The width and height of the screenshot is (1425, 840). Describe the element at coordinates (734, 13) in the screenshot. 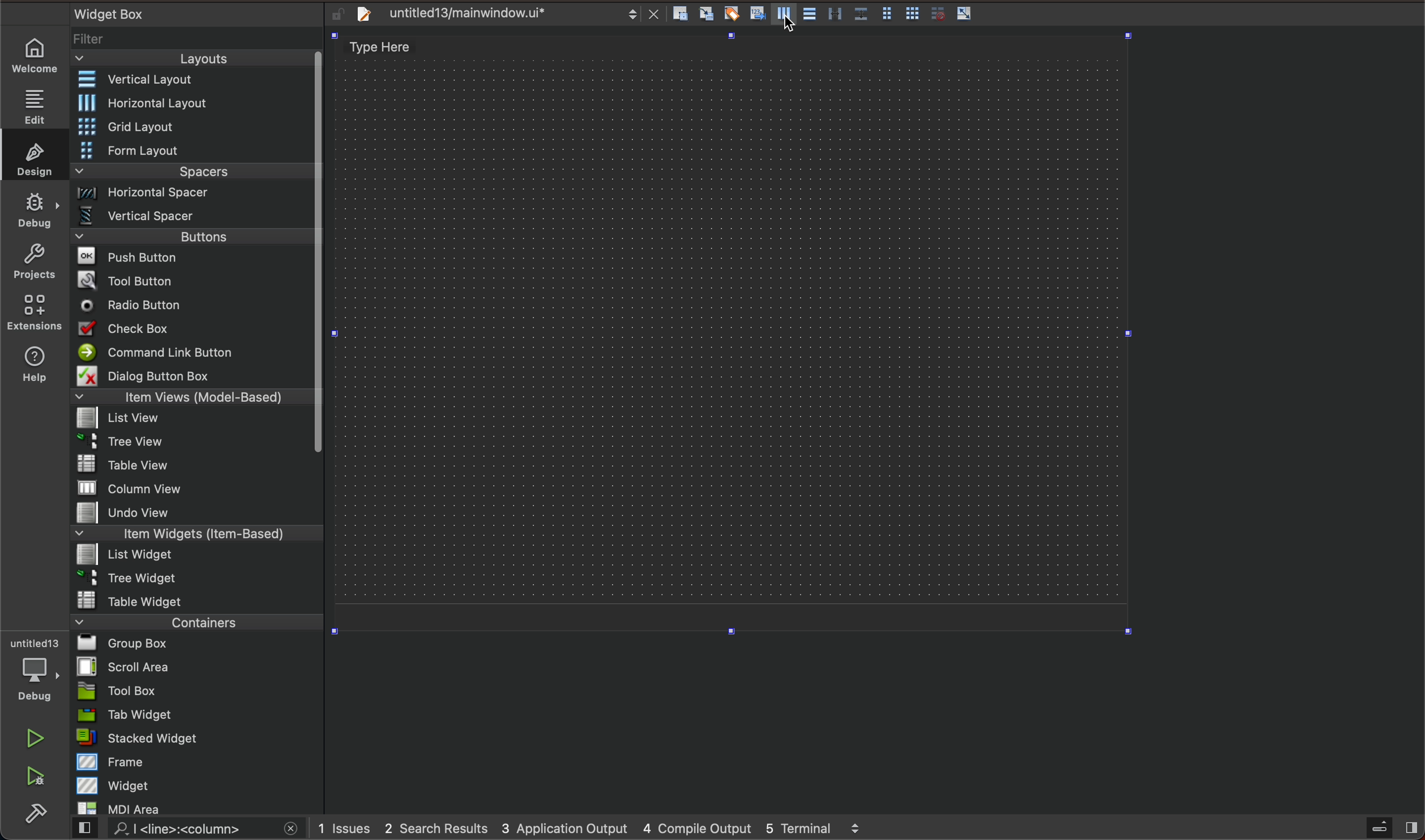

I see `edit buddies` at that location.